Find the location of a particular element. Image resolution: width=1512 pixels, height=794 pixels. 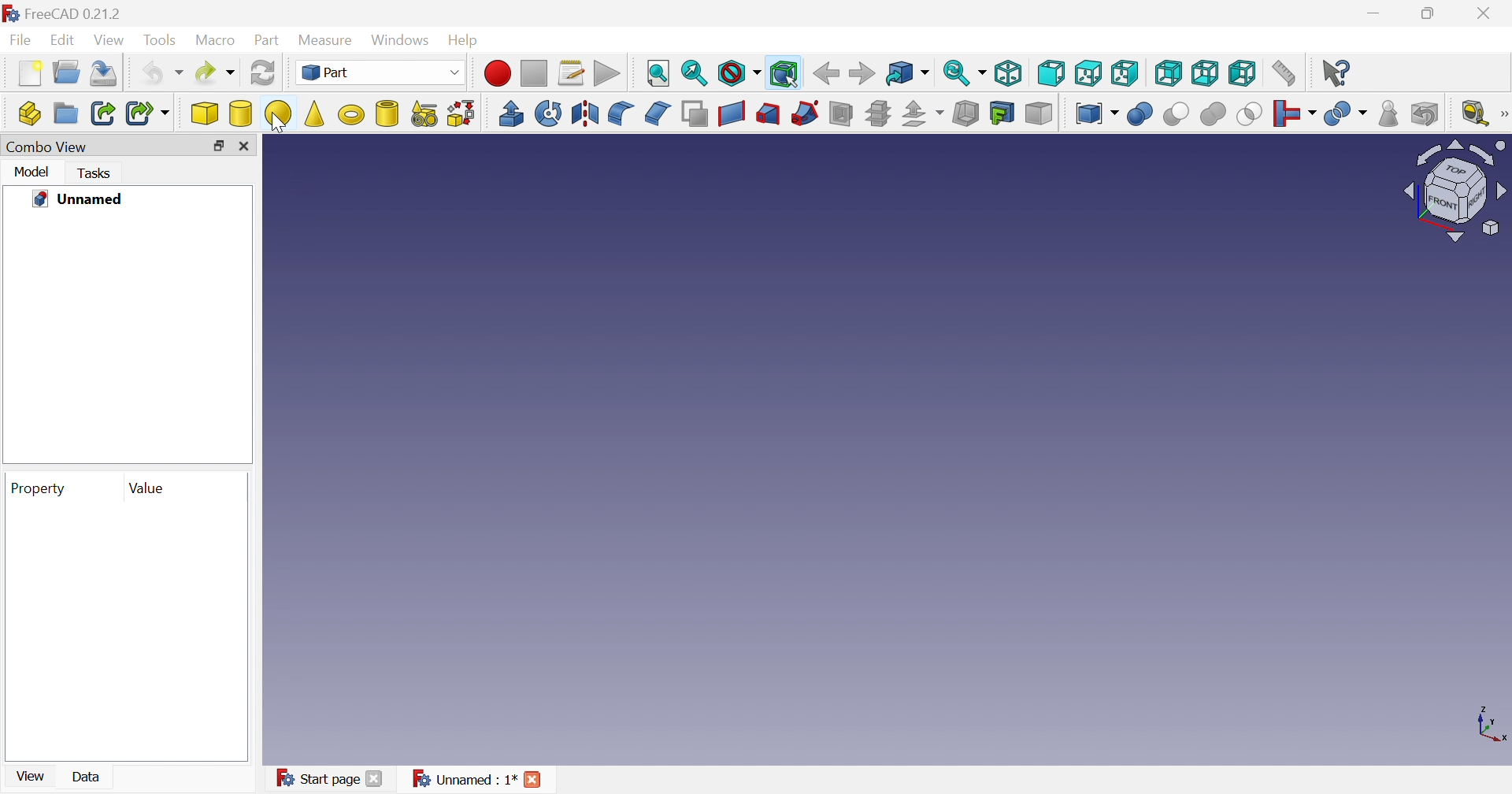

Split objects is located at coordinates (1346, 113).